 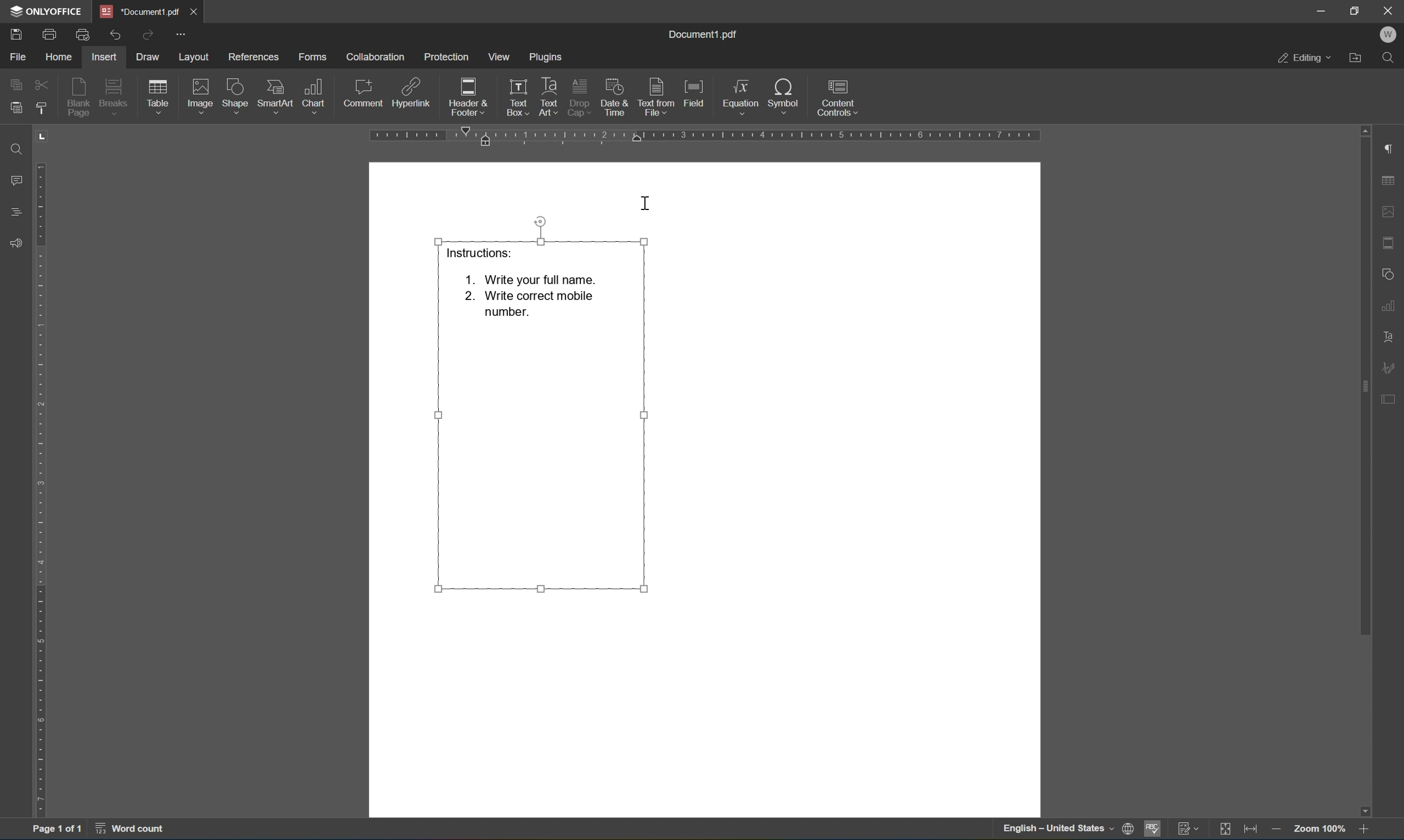 What do you see at coordinates (1321, 11) in the screenshot?
I see `Minimize` at bounding box center [1321, 11].